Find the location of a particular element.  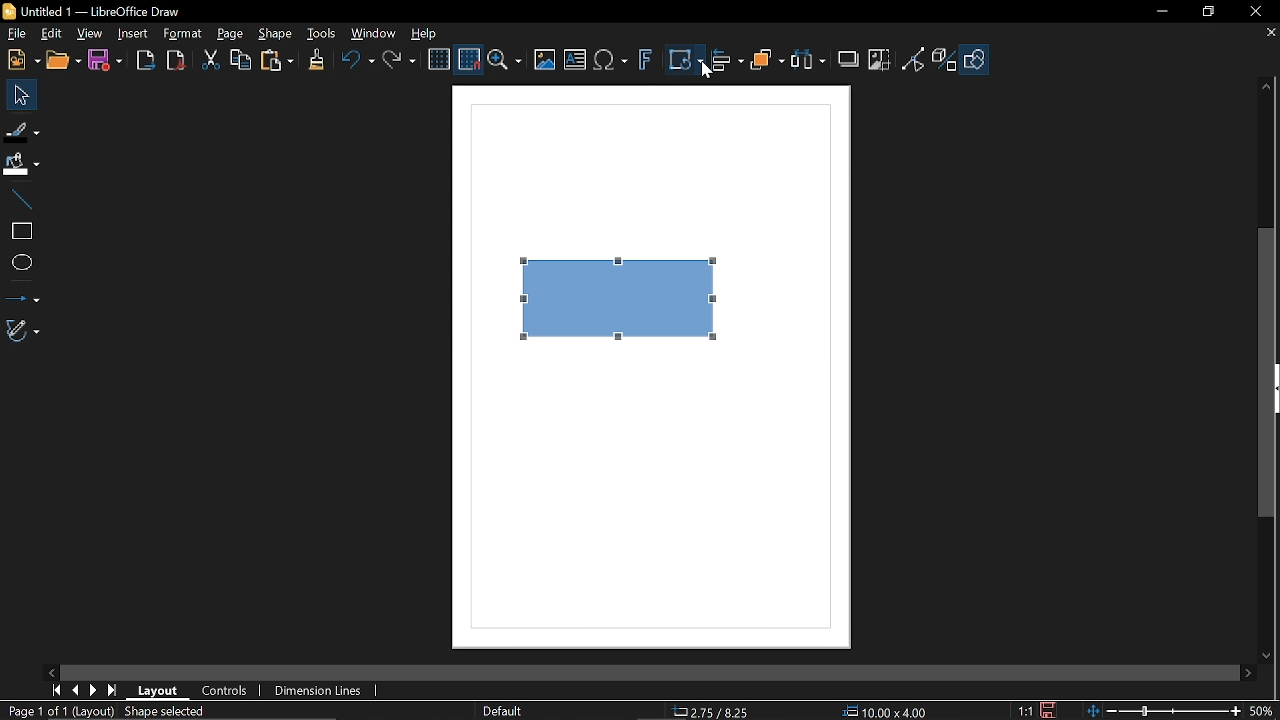

Lines and arrows is located at coordinates (21, 296).